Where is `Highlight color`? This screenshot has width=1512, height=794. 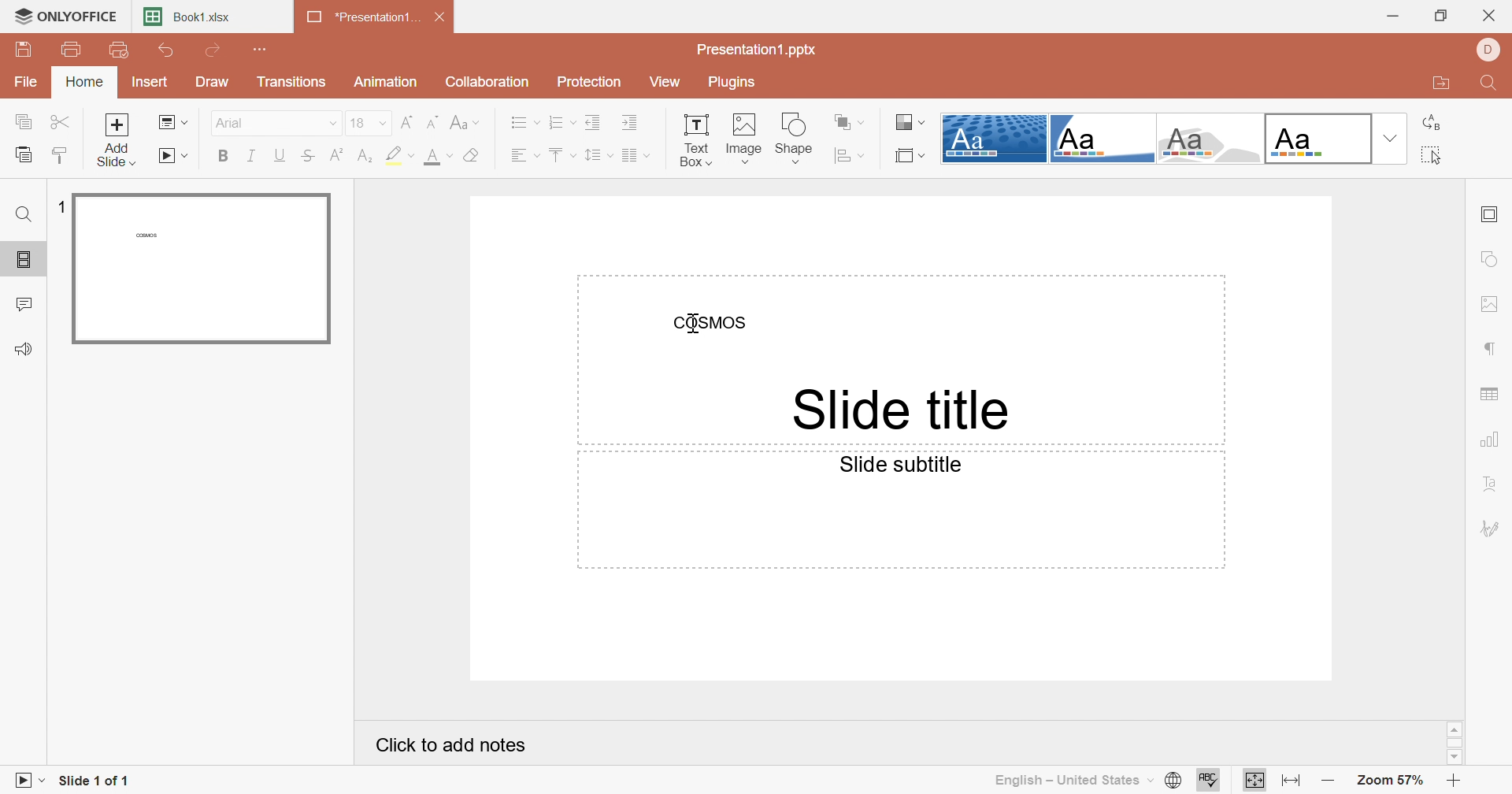 Highlight color is located at coordinates (399, 155).